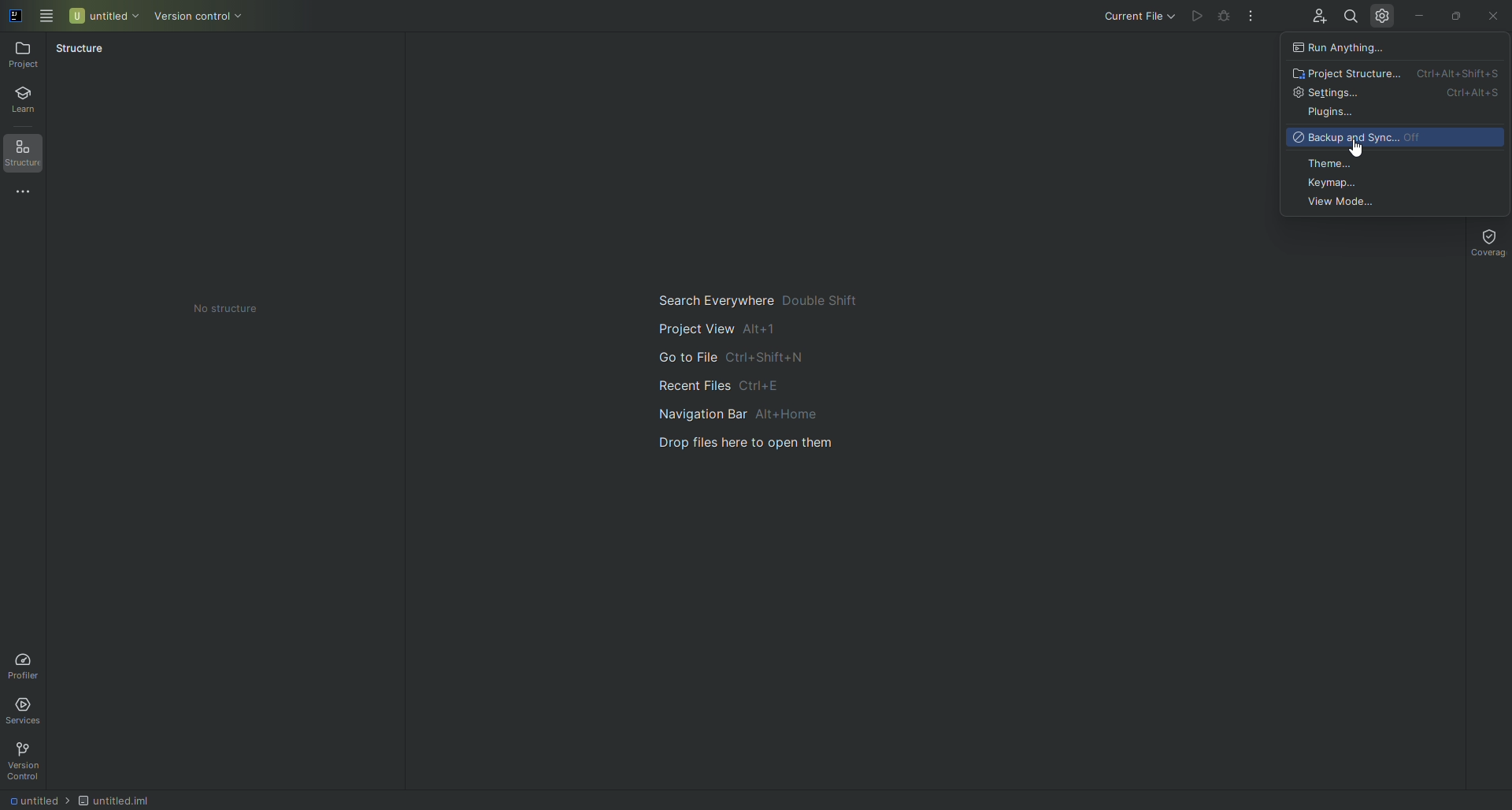 This screenshot has height=810, width=1512. I want to click on Filename, so click(128, 801).